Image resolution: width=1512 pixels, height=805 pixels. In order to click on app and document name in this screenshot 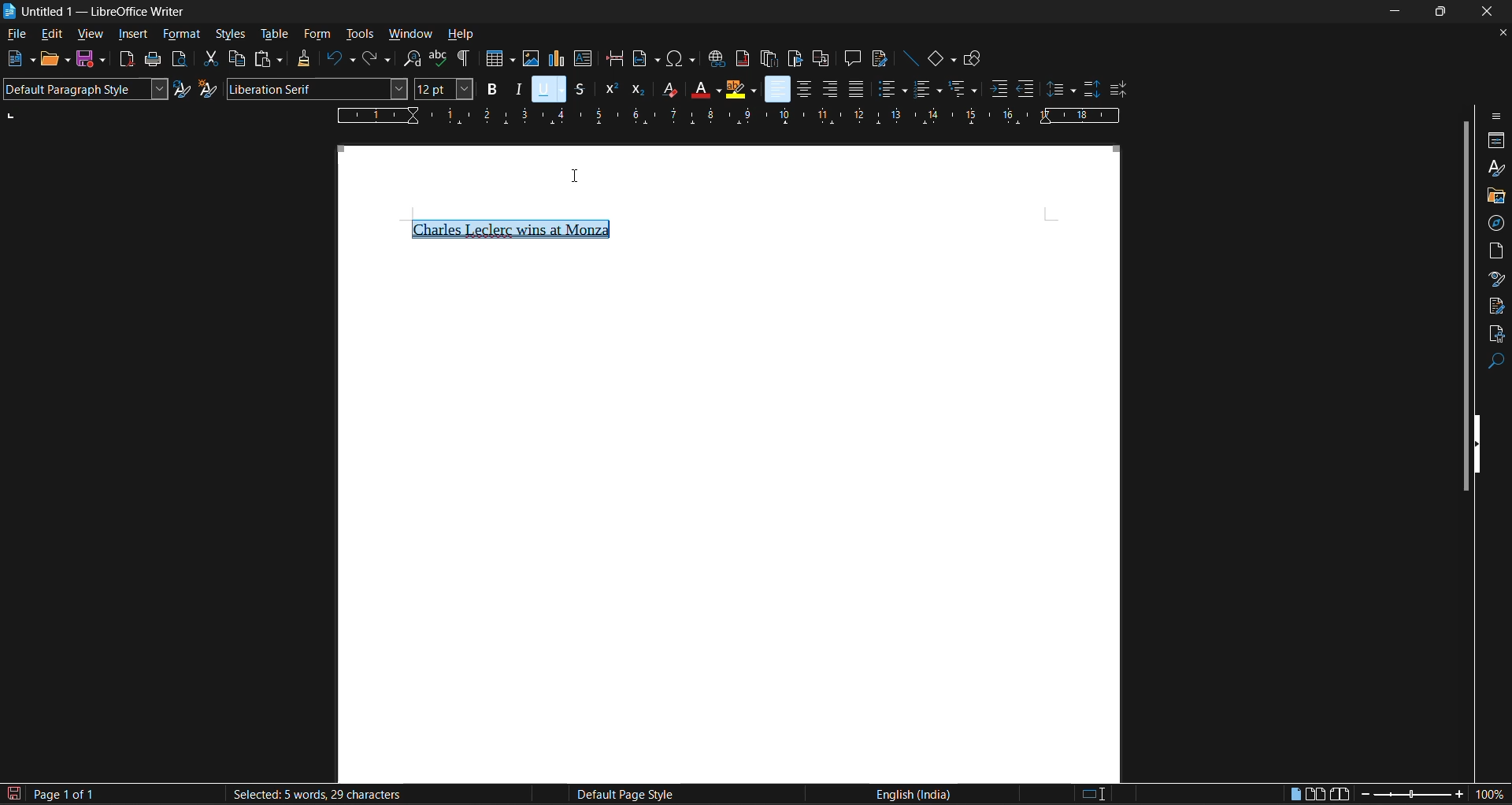, I will do `click(98, 11)`.